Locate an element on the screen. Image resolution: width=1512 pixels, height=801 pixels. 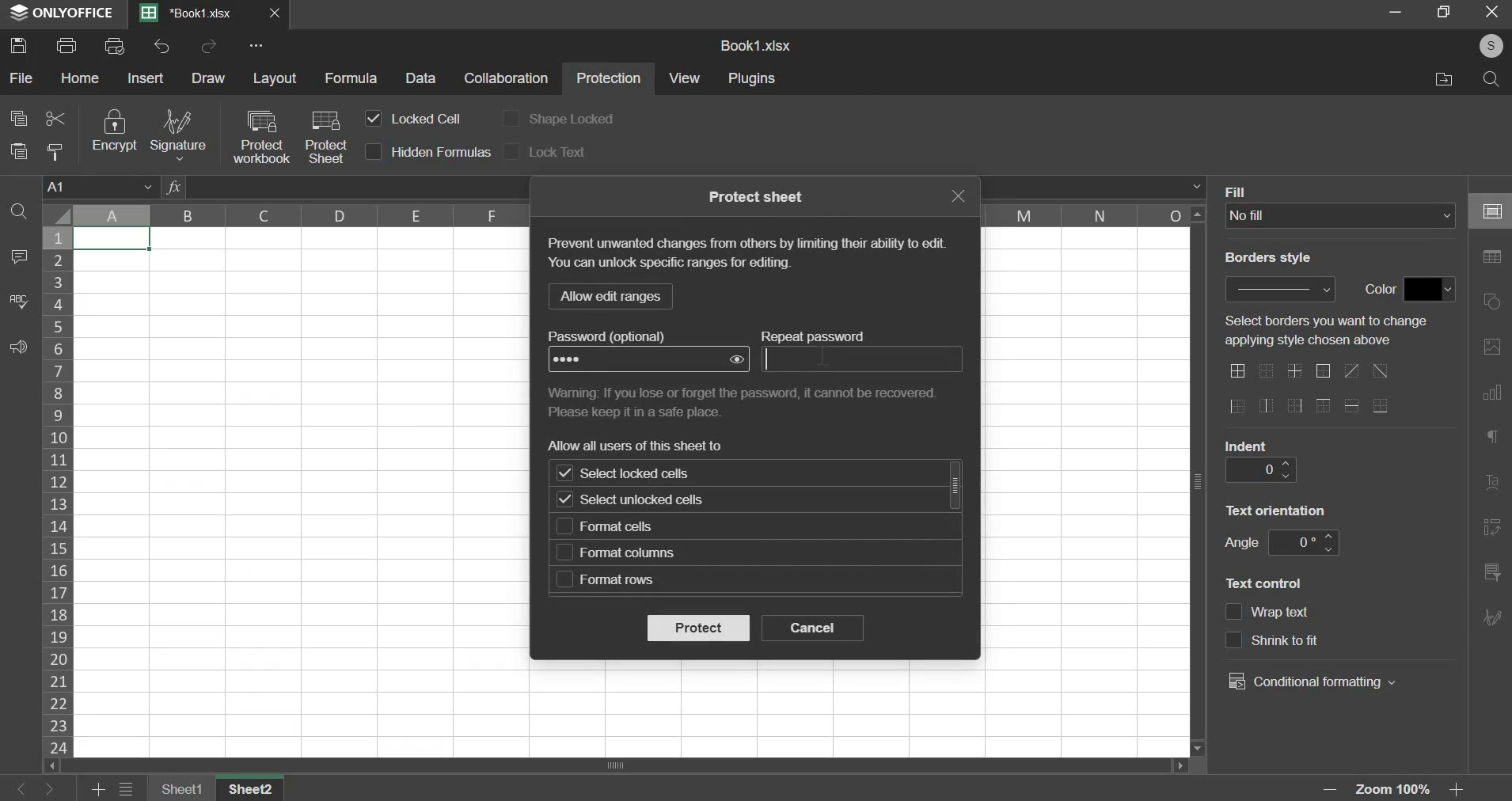
Minimise is located at coordinates (1445, 11).